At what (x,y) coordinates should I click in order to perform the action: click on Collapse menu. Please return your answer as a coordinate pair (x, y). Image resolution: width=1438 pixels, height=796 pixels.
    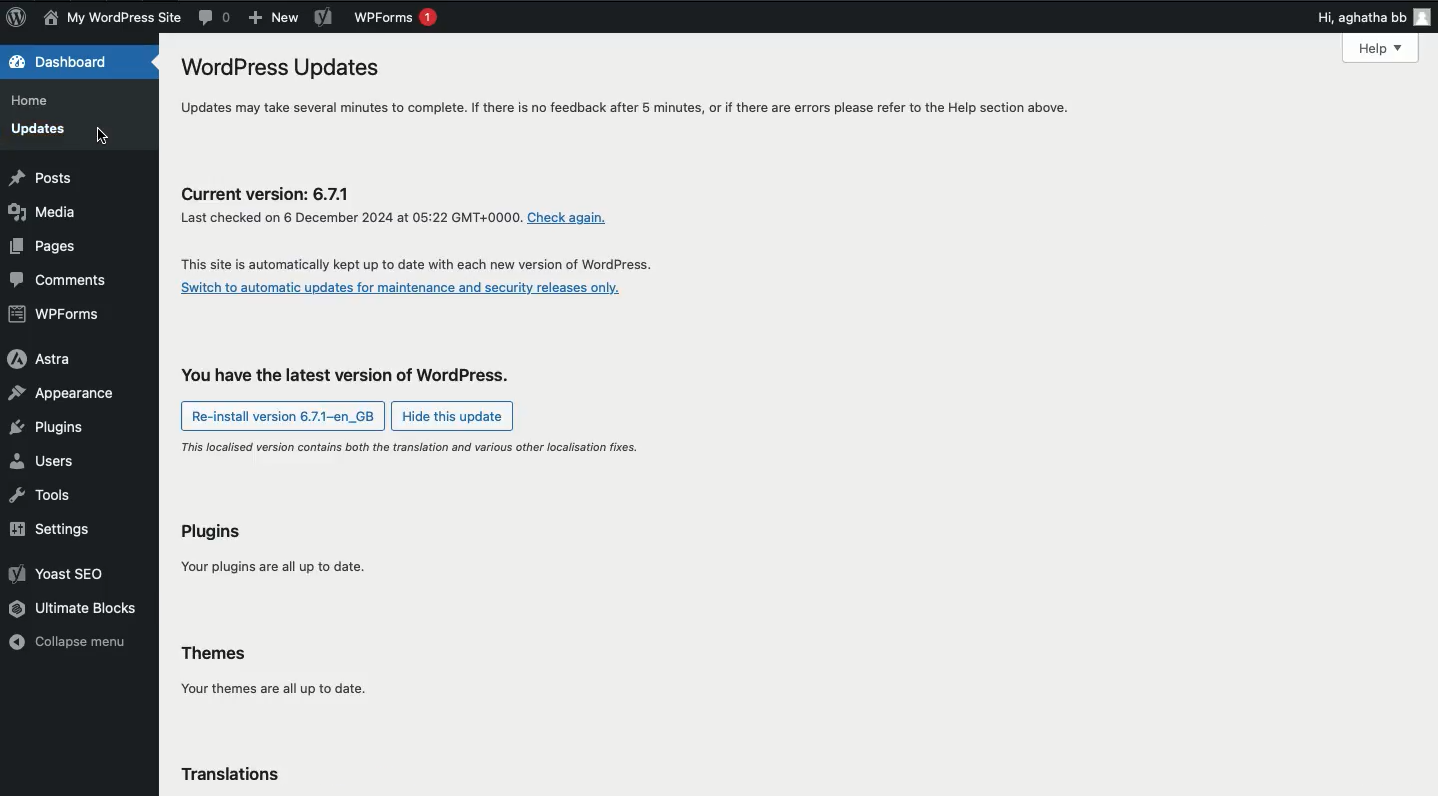
    Looking at the image, I should click on (71, 643).